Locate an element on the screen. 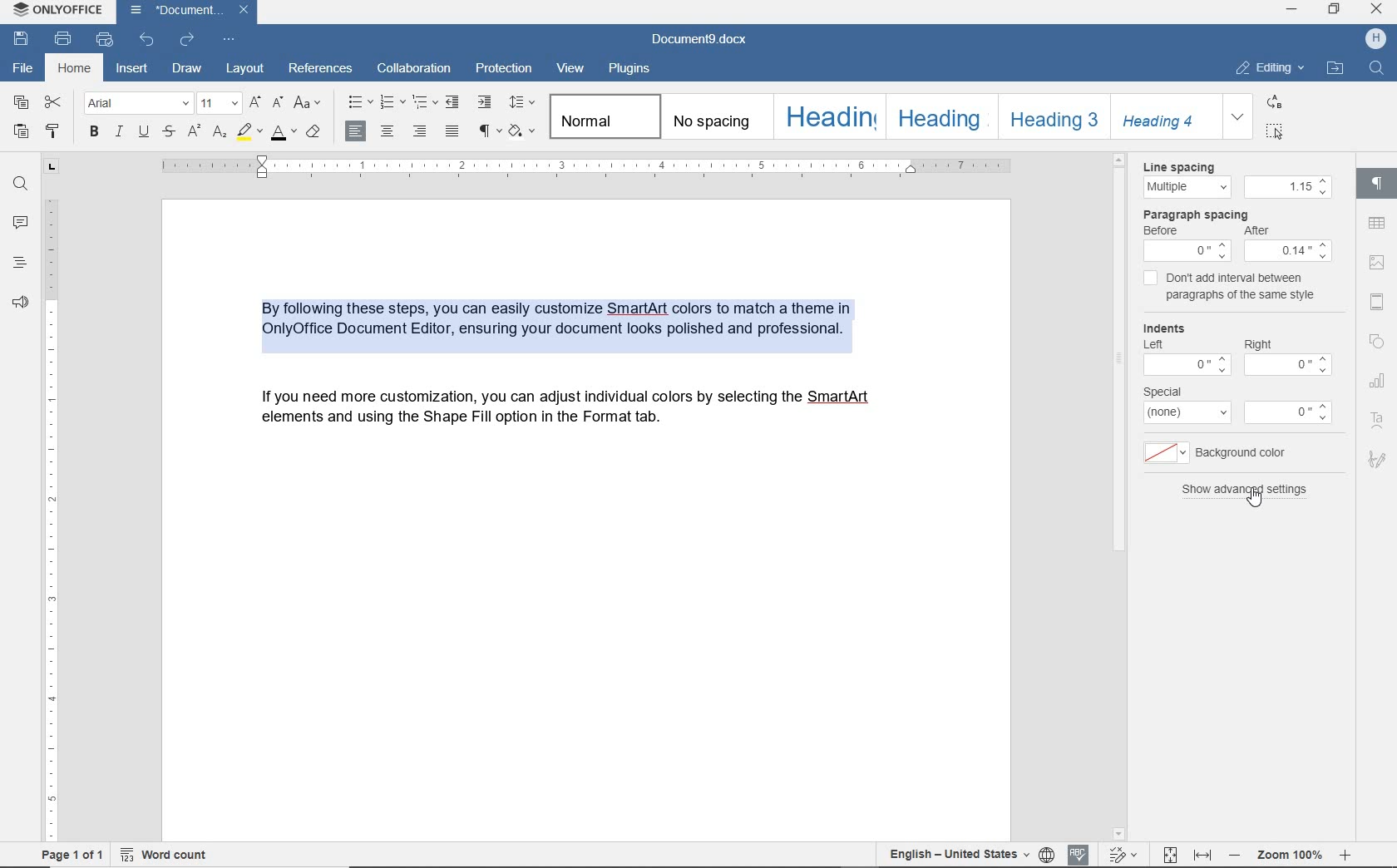 Image resolution: width=1397 pixels, height=868 pixels. cut is located at coordinates (54, 102).